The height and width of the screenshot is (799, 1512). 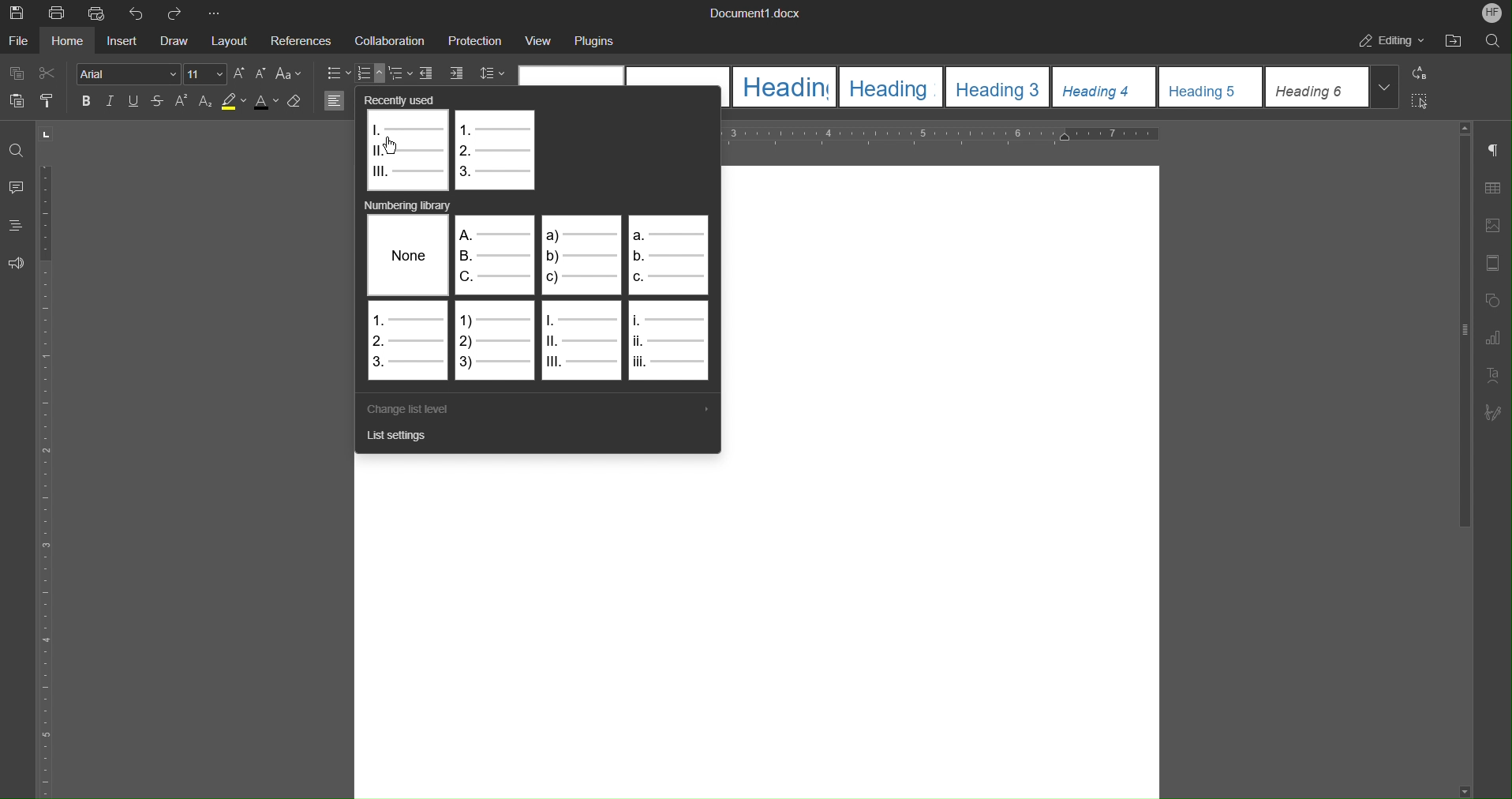 What do you see at coordinates (571, 76) in the screenshot?
I see `Normal` at bounding box center [571, 76].